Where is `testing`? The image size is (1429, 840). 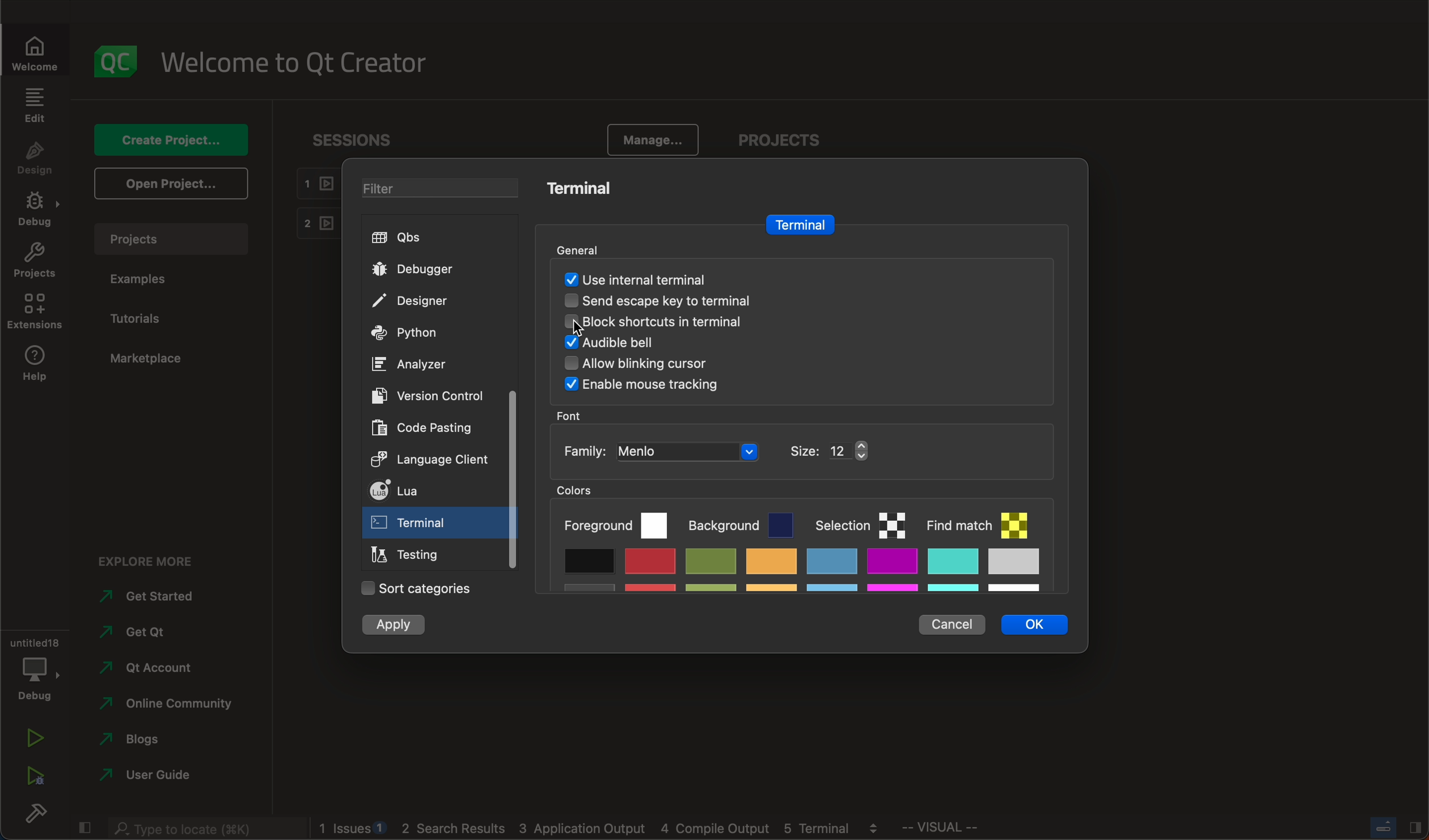
testing is located at coordinates (411, 555).